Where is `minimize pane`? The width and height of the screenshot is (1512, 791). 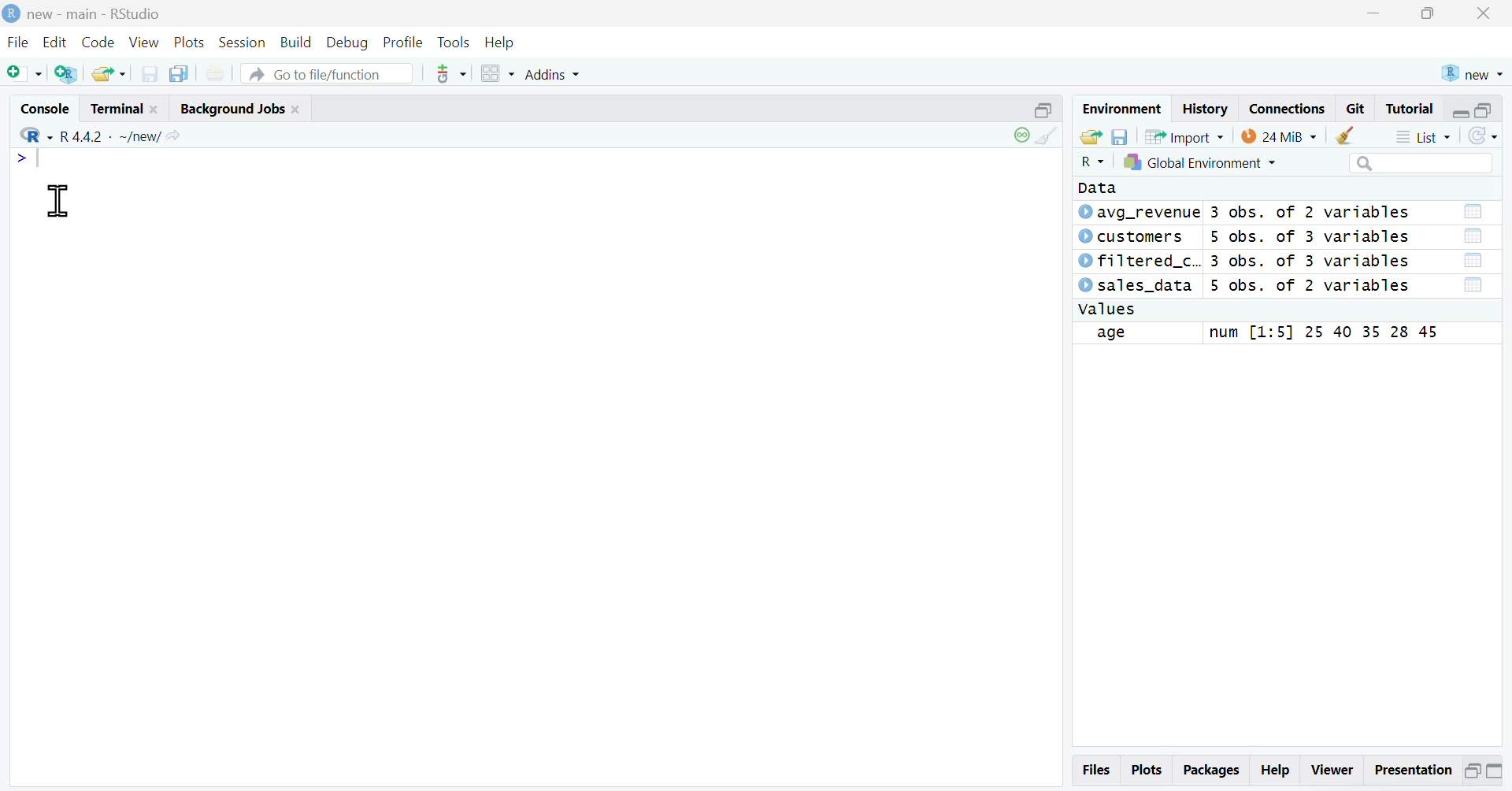
minimize pane is located at coordinates (1462, 112).